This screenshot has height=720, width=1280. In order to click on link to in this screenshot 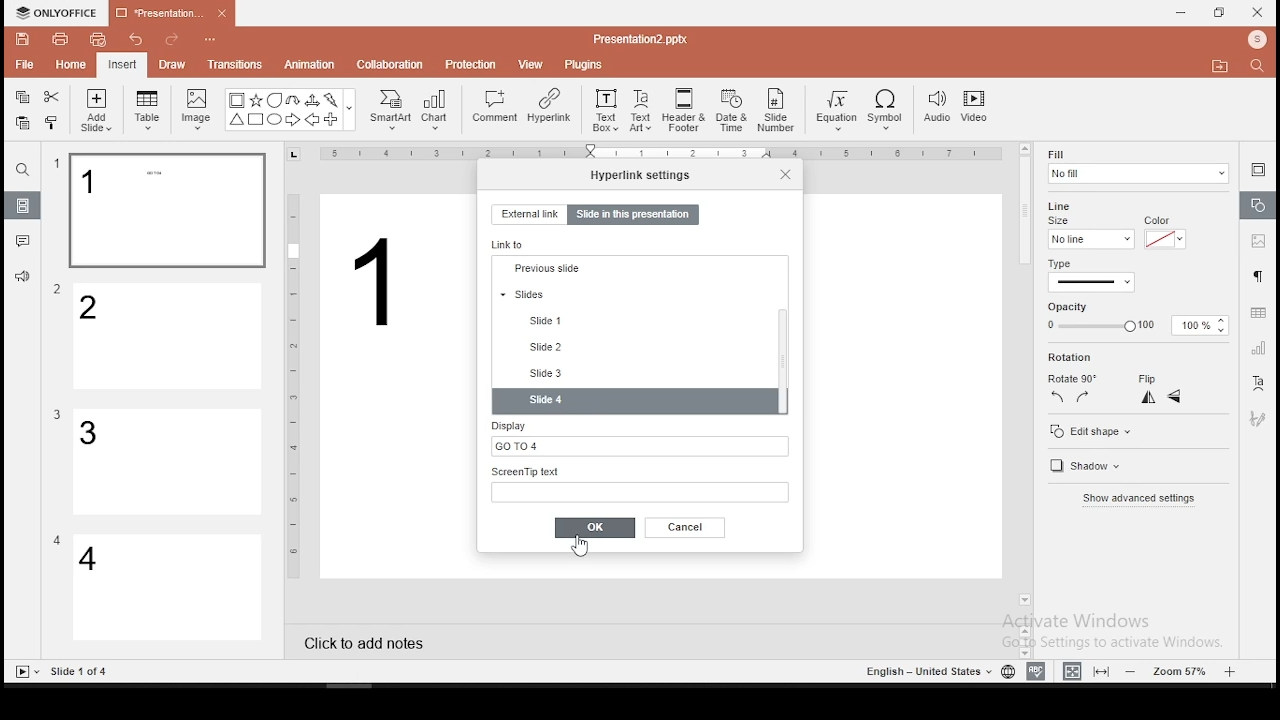, I will do `click(511, 244)`.